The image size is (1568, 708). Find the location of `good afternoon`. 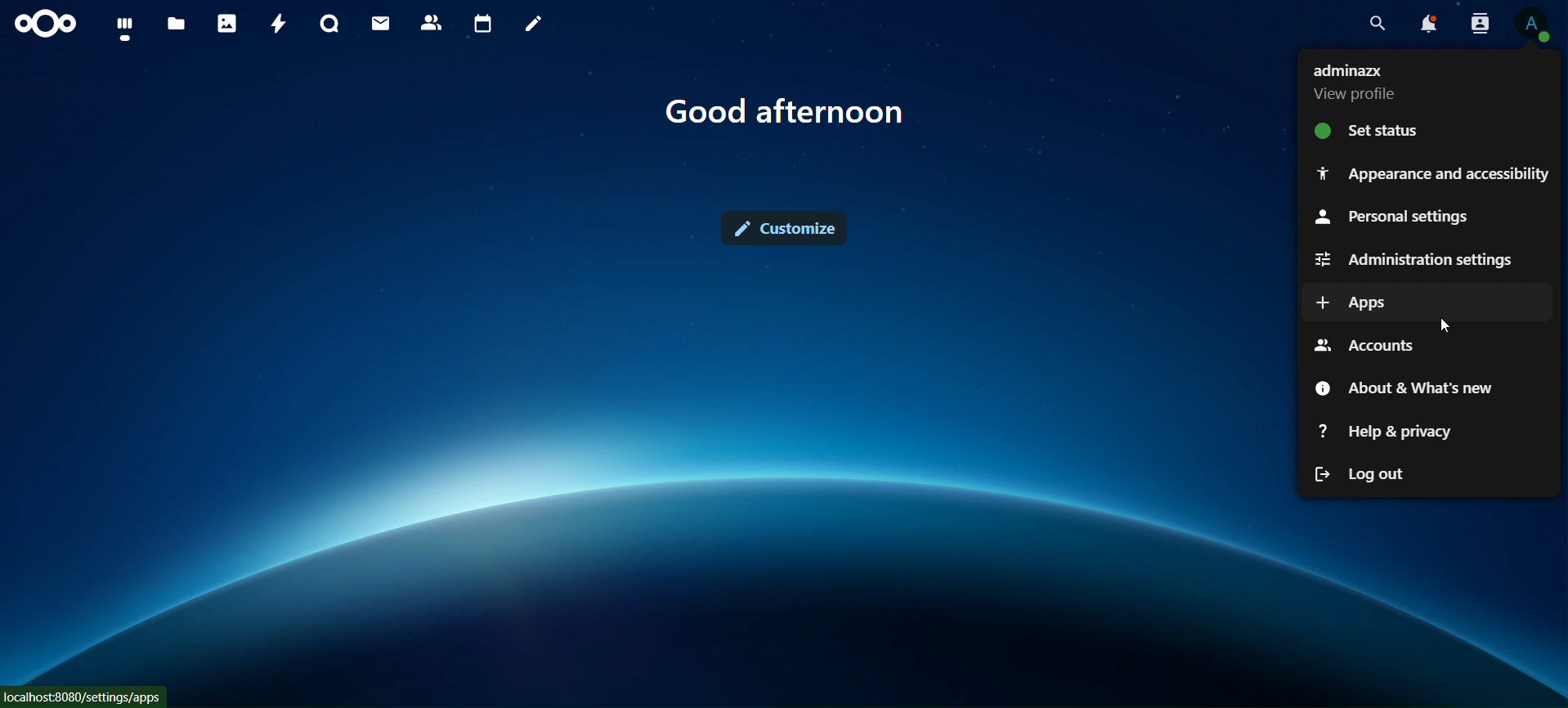

good afternoon is located at coordinates (794, 116).